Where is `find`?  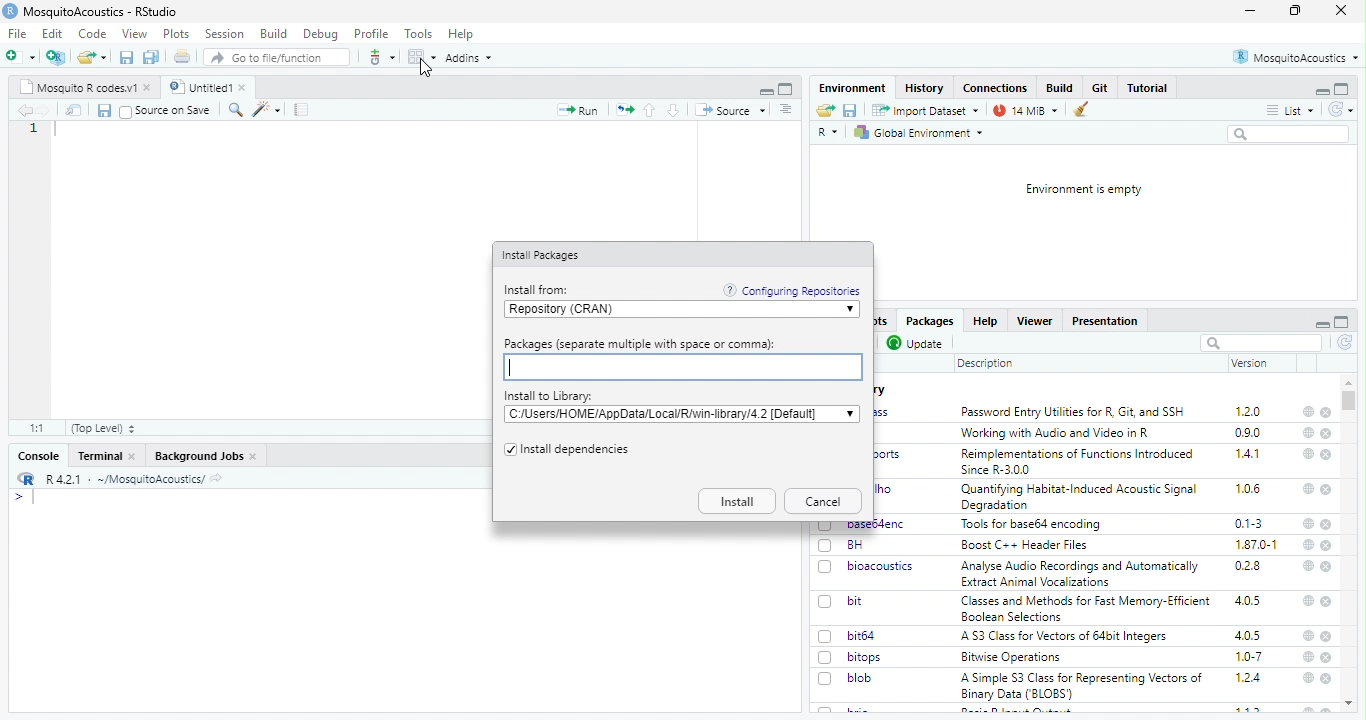
find is located at coordinates (237, 110).